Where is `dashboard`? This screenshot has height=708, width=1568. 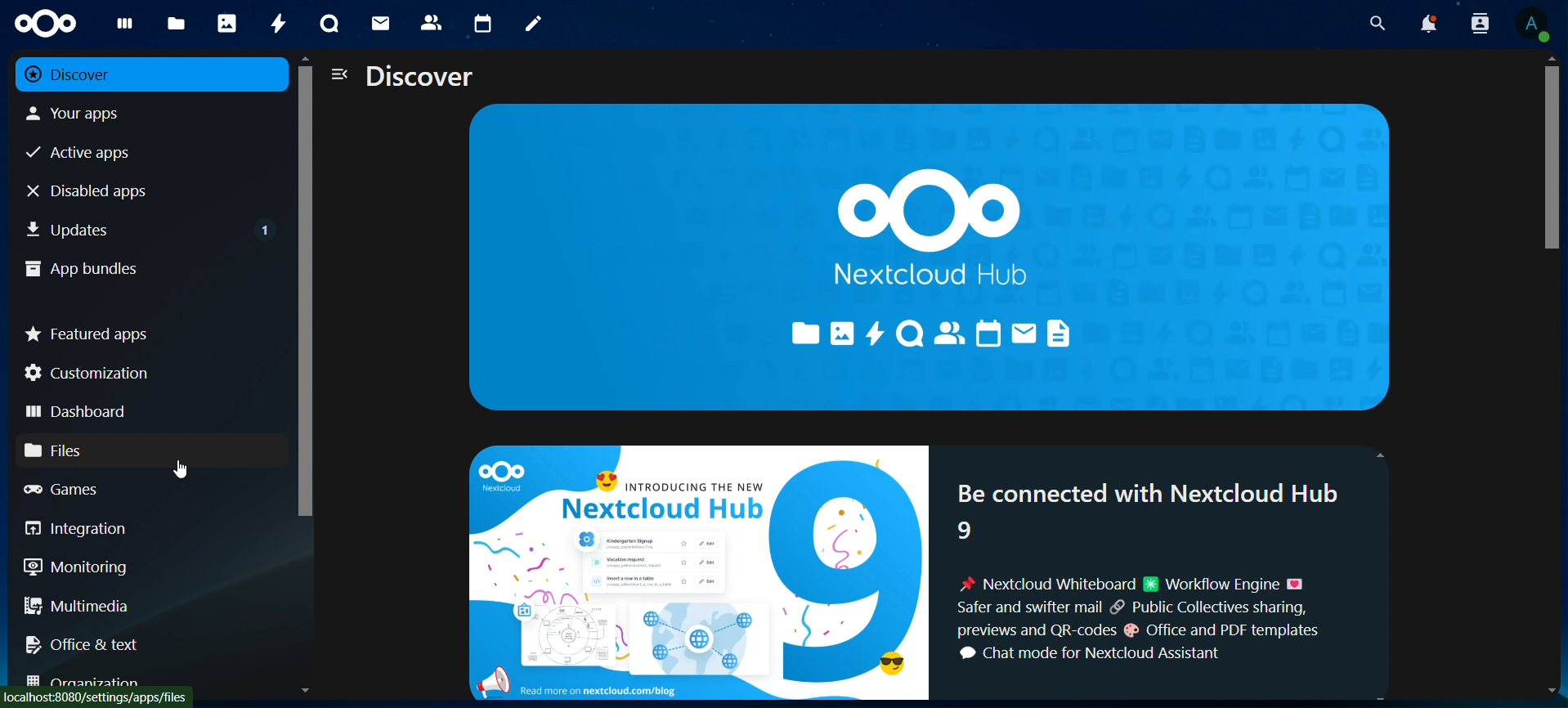
dashboard is located at coordinates (79, 413).